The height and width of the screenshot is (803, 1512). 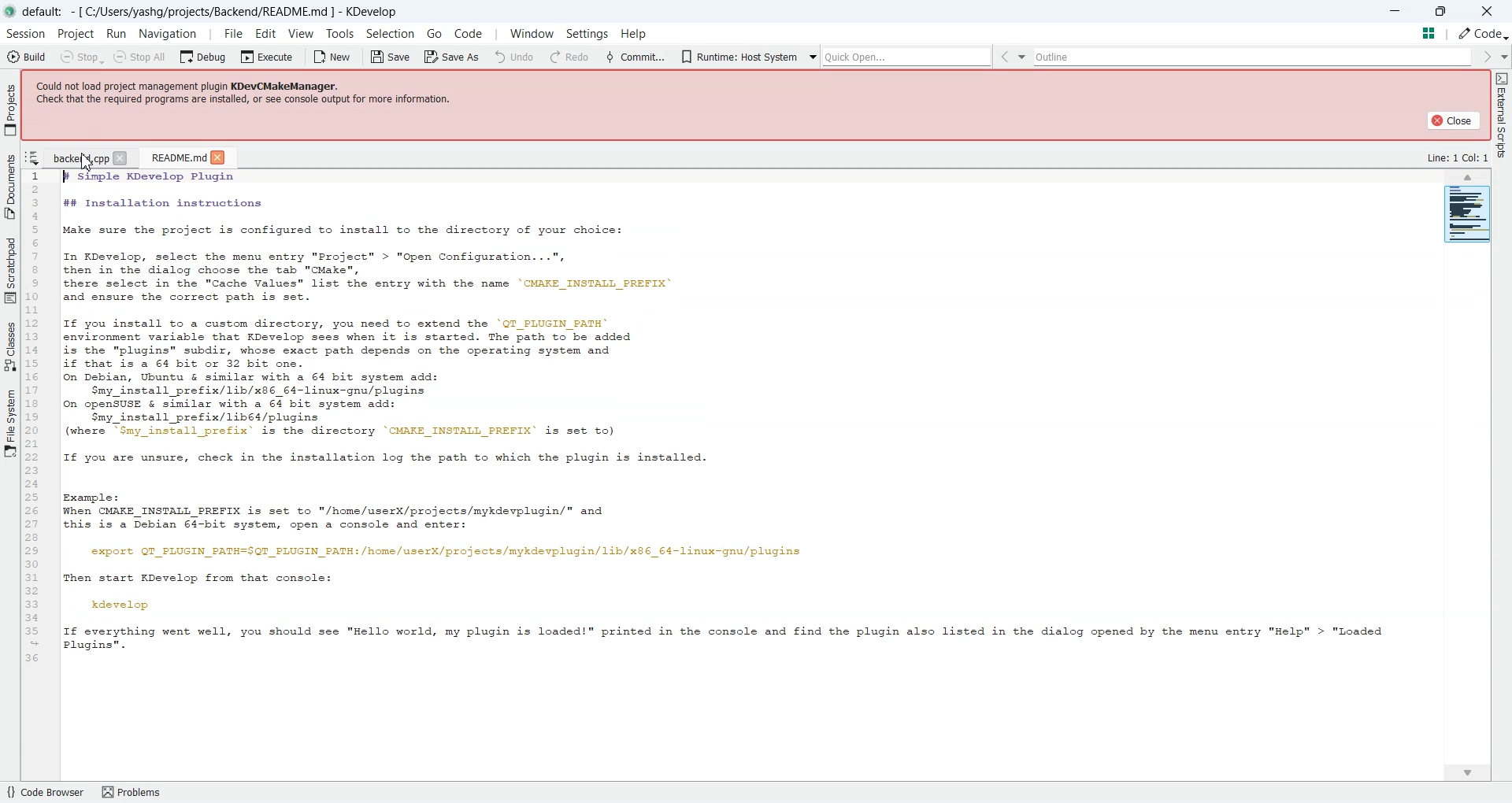 I want to click on Close, so click(x=1452, y=120).